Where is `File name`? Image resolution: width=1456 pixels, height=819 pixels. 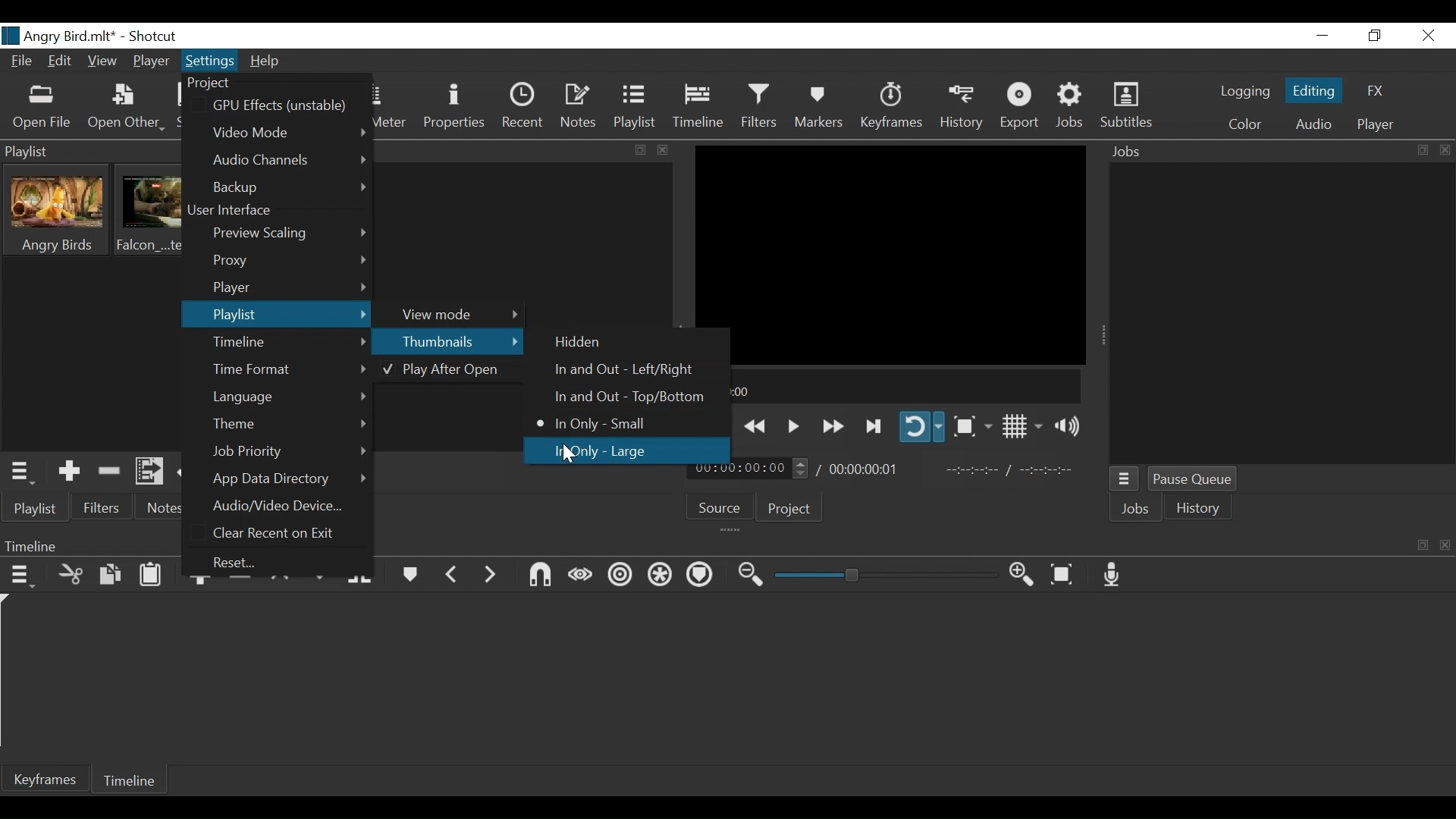 File name is located at coordinates (60, 35).